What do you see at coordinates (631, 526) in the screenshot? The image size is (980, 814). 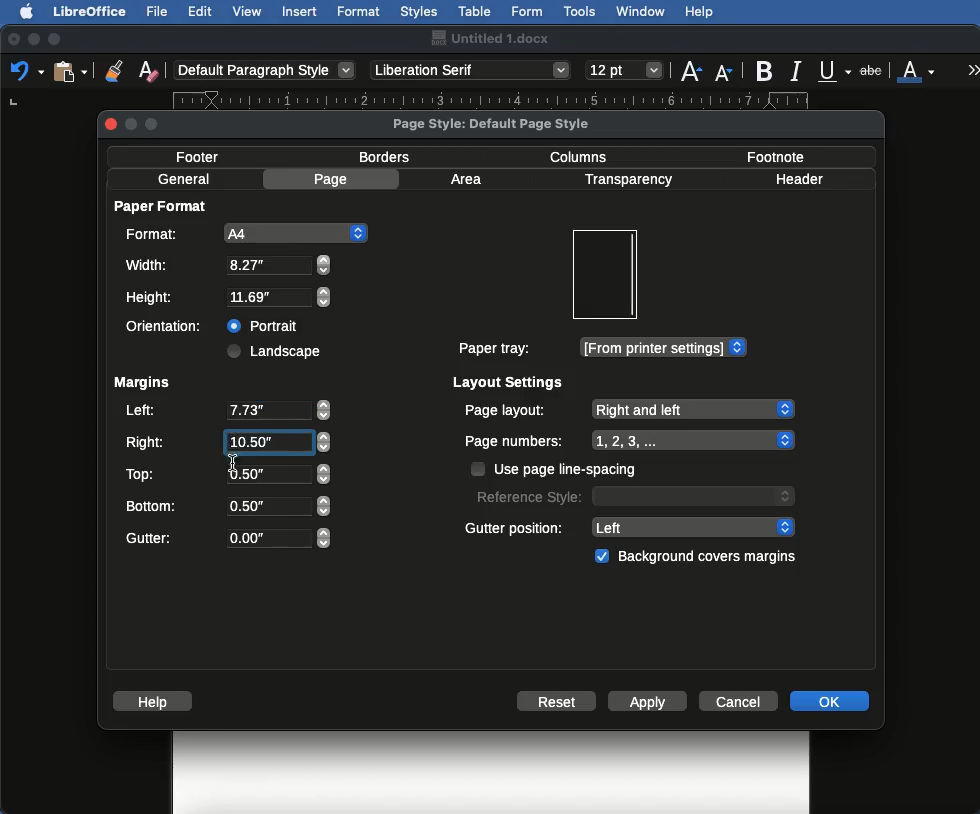 I see `Gutter position` at bounding box center [631, 526].